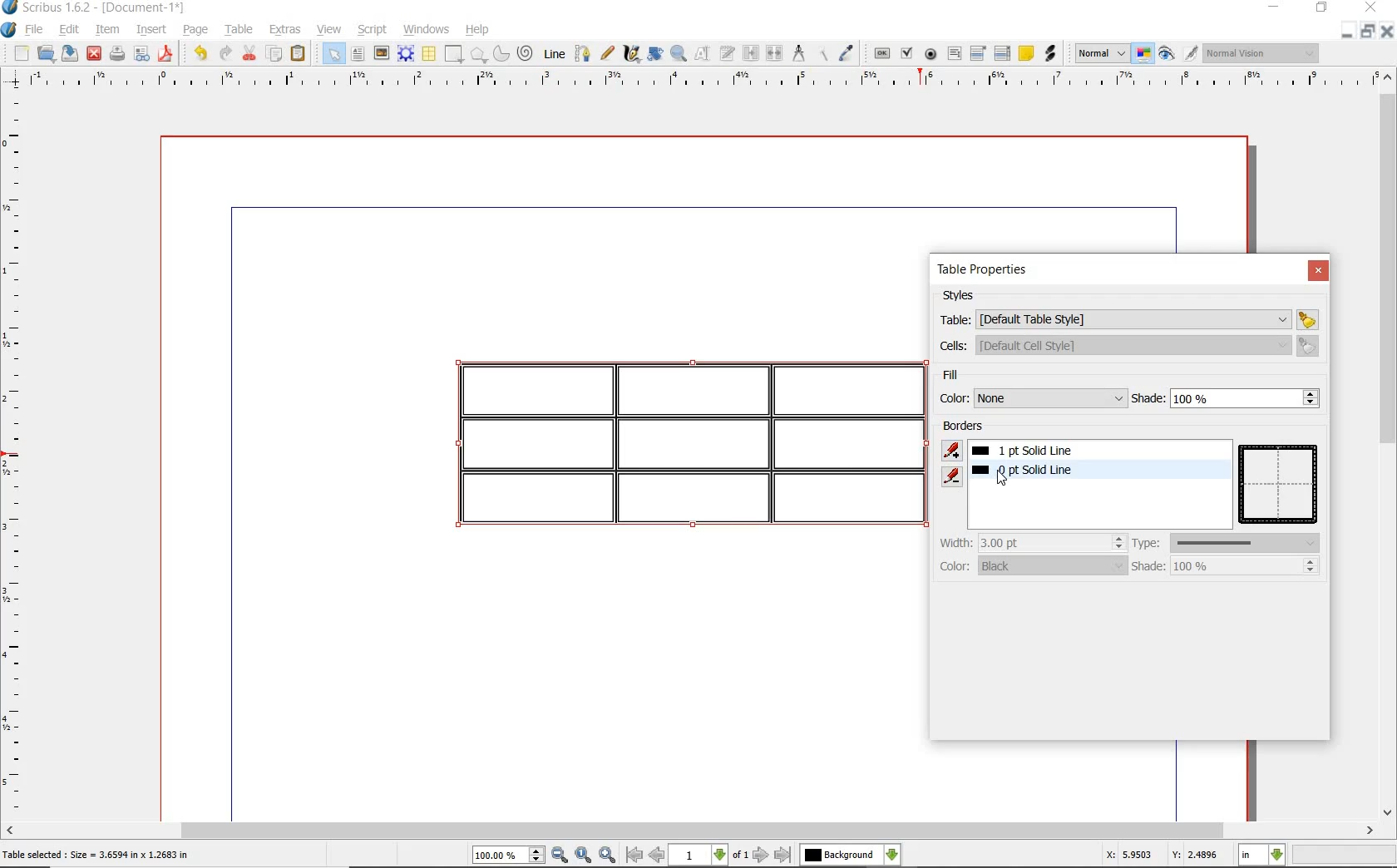 Image resolution: width=1397 pixels, height=868 pixels. Describe the element at coordinates (630, 53) in the screenshot. I see `calligraphic line` at that location.